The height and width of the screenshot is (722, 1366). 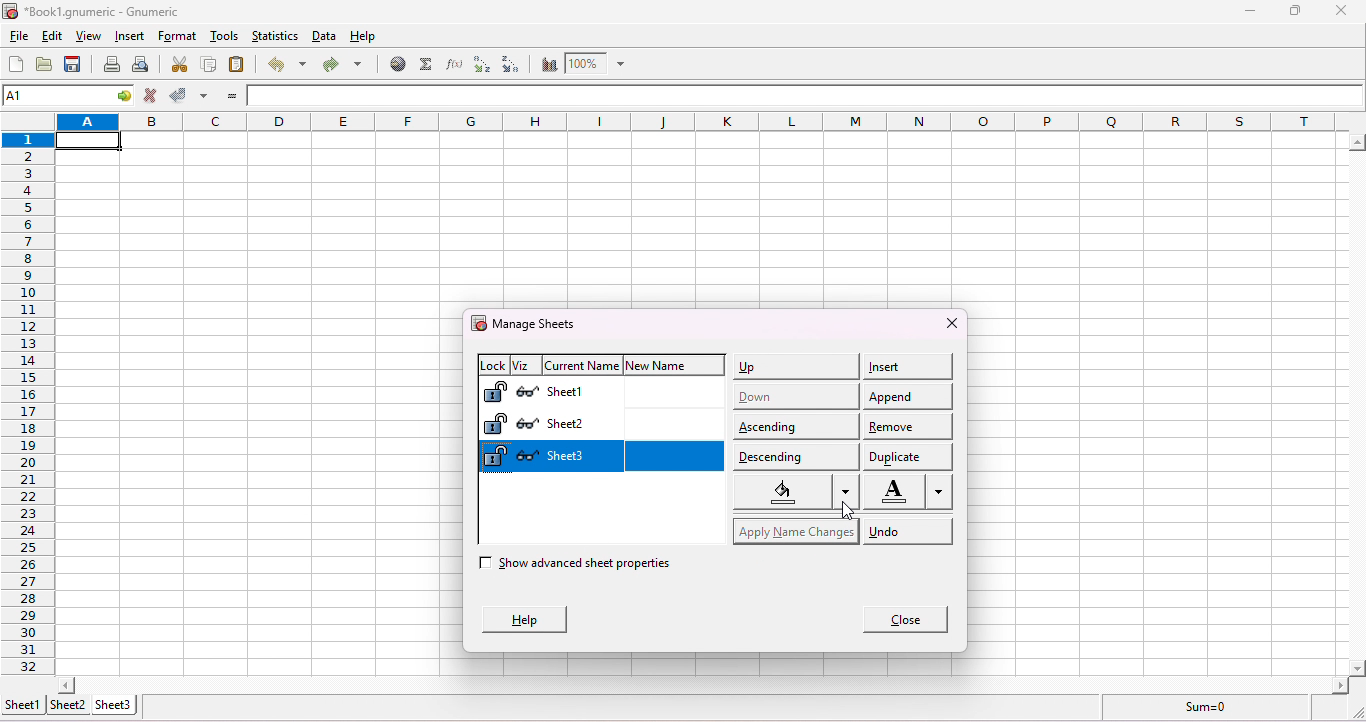 I want to click on descending, so click(x=794, y=454).